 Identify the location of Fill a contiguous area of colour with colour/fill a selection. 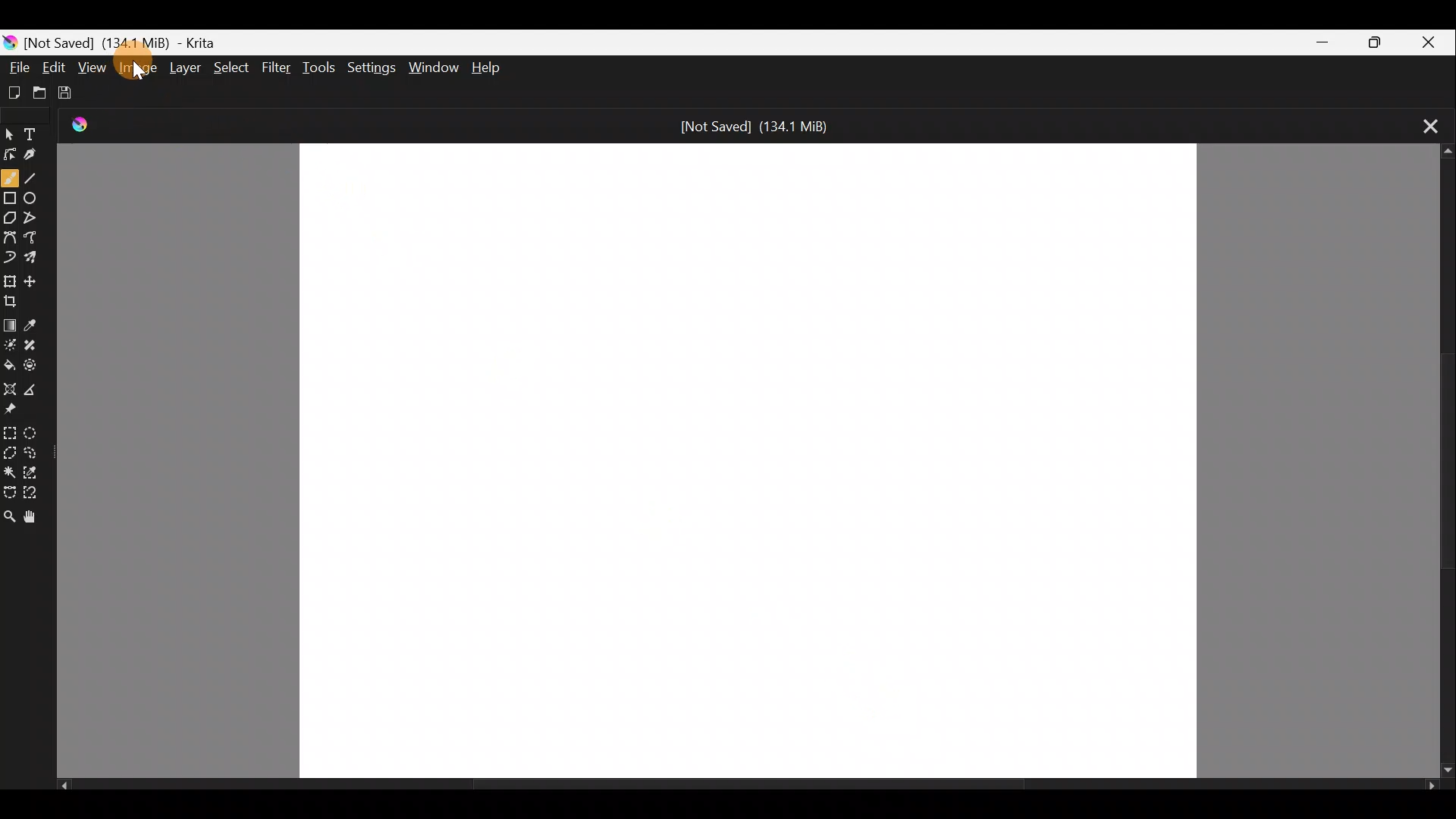
(9, 363).